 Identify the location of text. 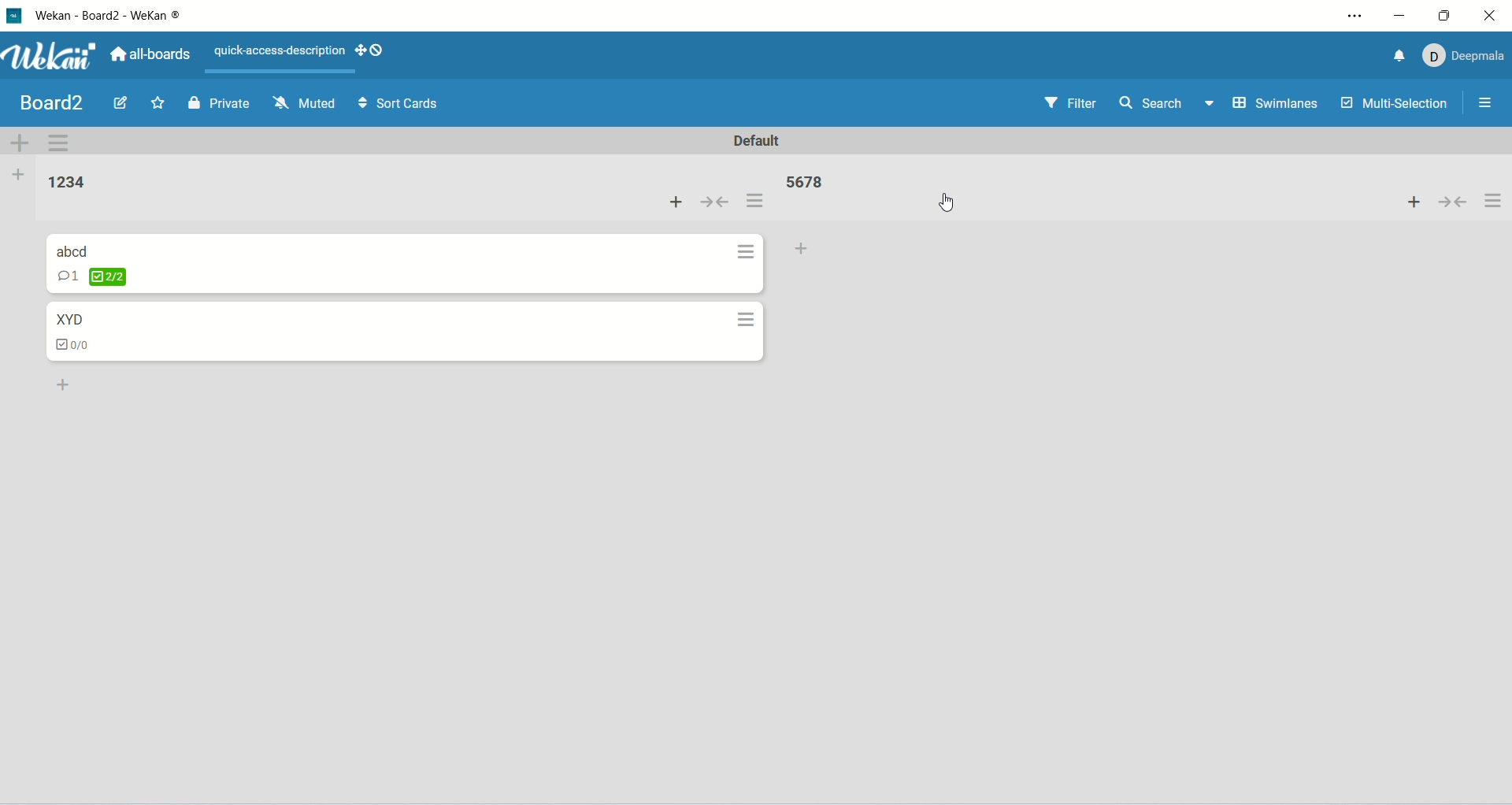
(280, 51).